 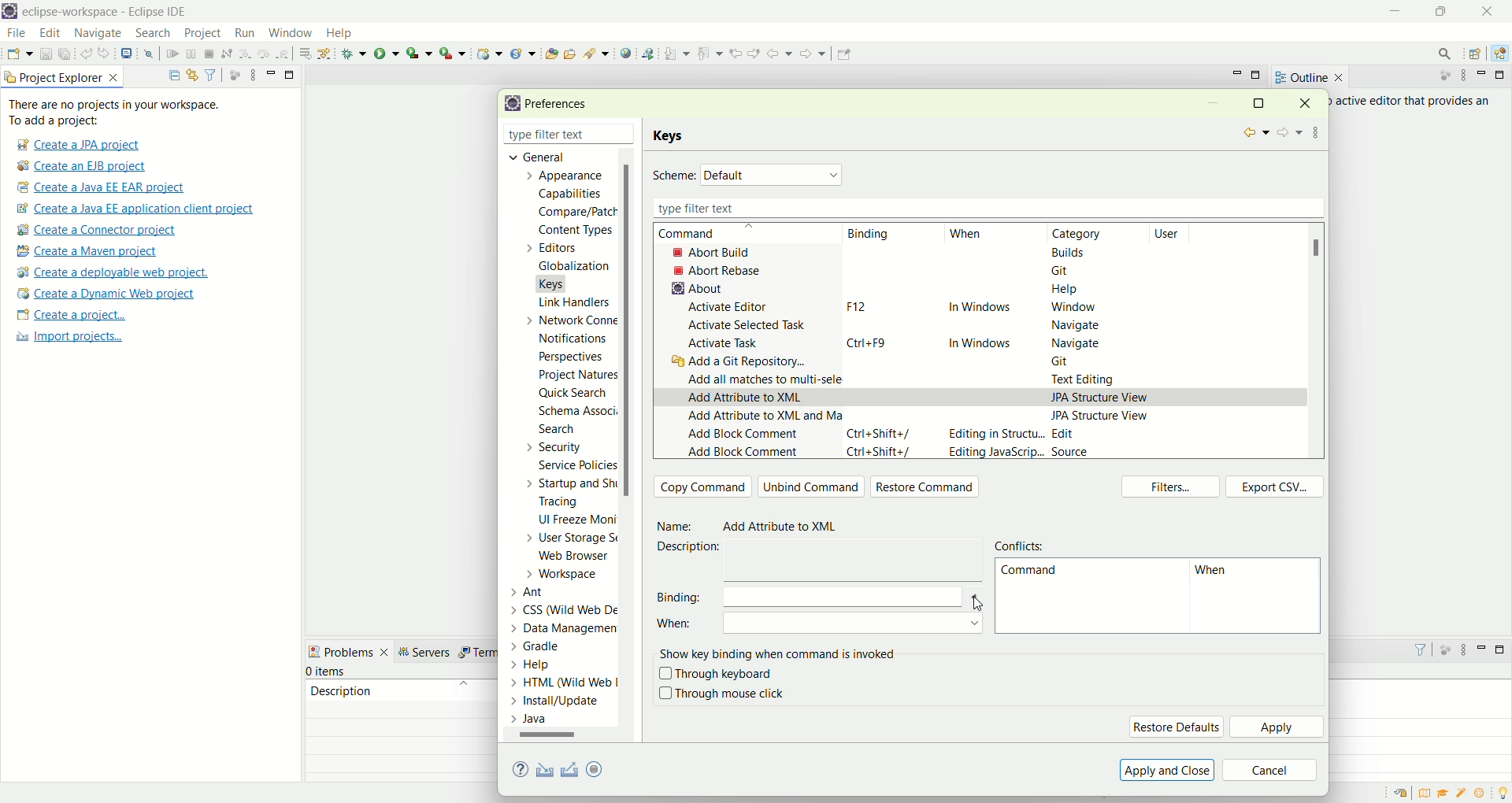 I want to click on minimize, so click(x=1482, y=647).